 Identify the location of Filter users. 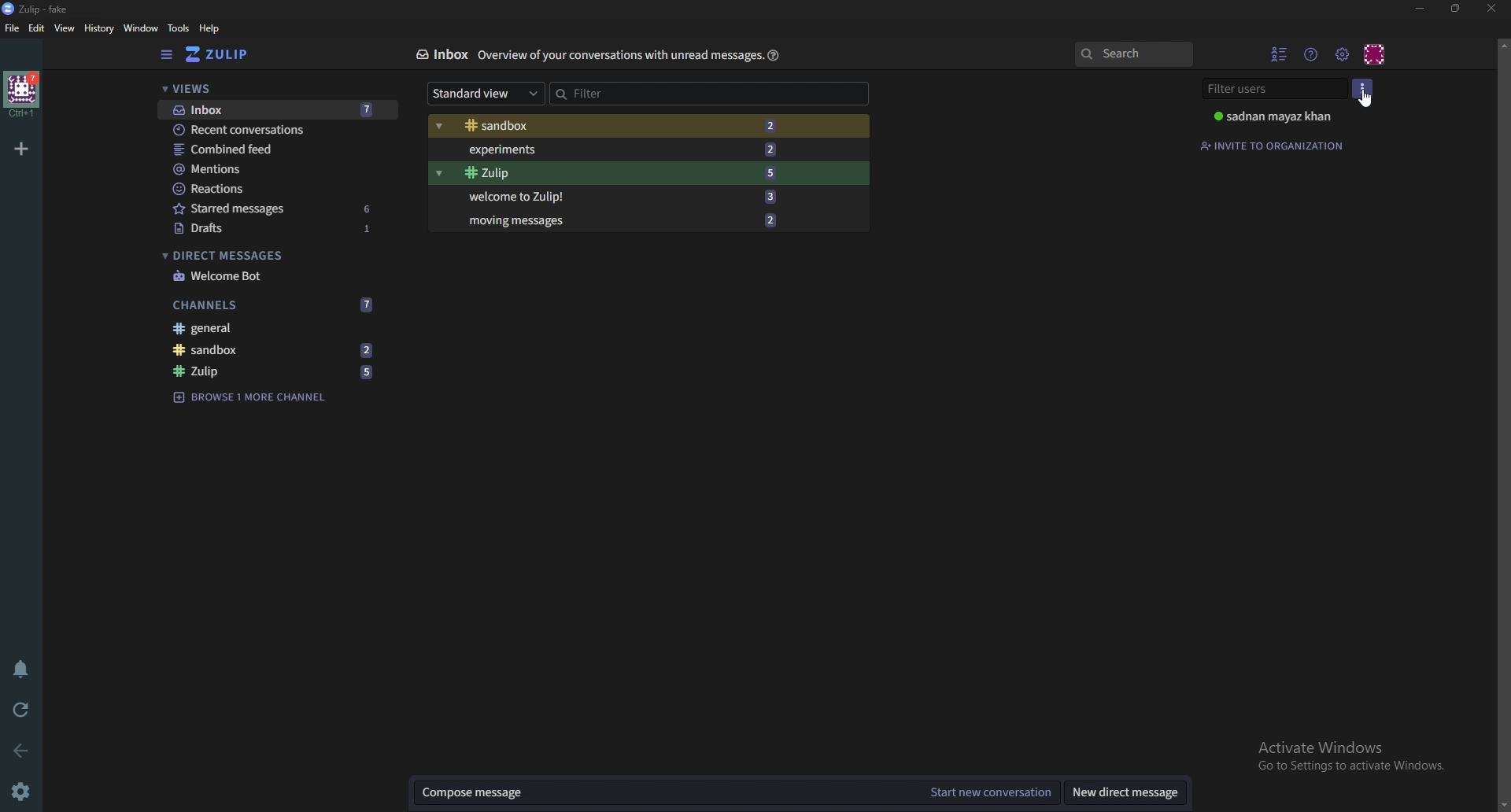
(1273, 90).